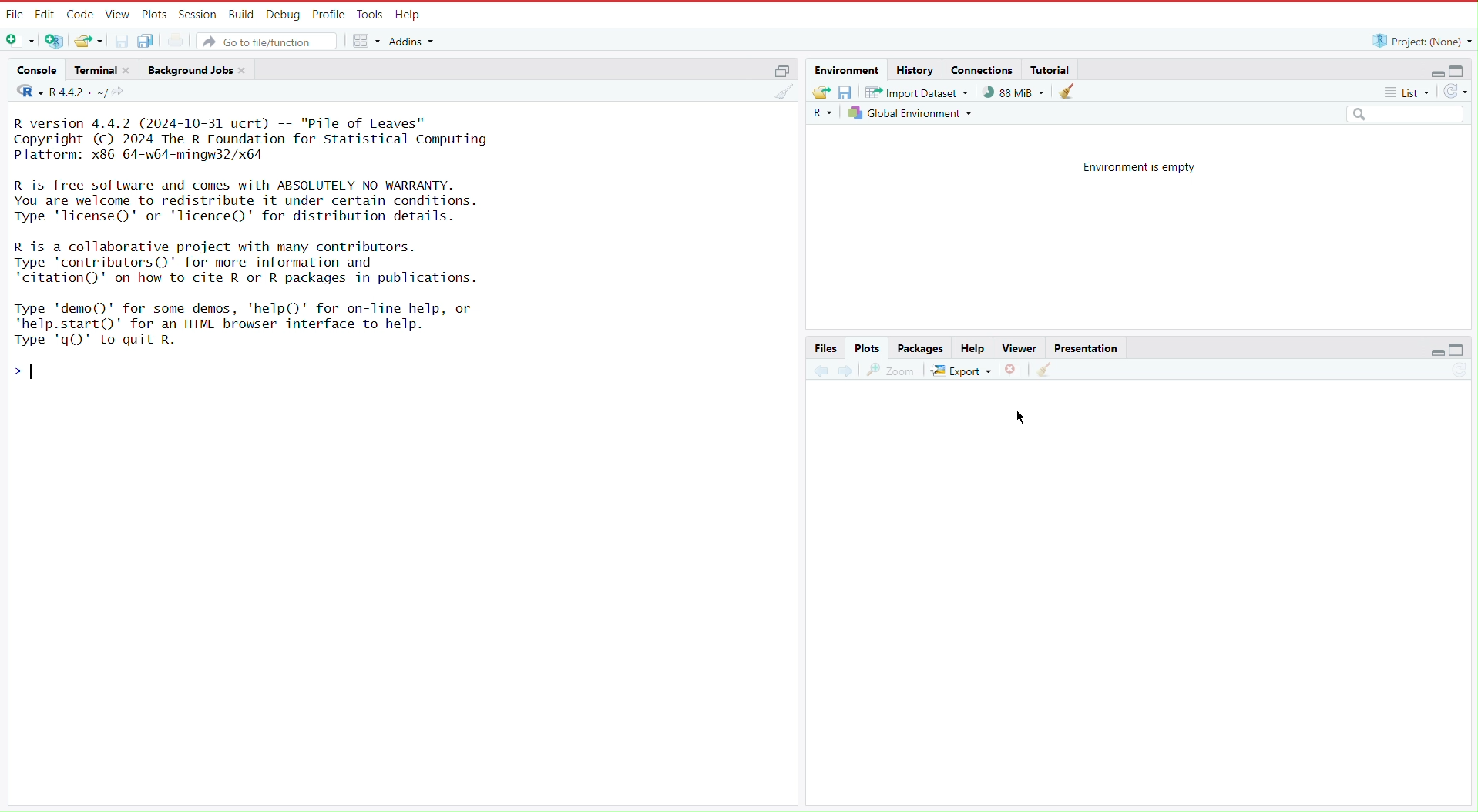 This screenshot has width=1478, height=812. What do you see at coordinates (183, 39) in the screenshot?
I see `Print the current file` at bounding box center [183, 39].